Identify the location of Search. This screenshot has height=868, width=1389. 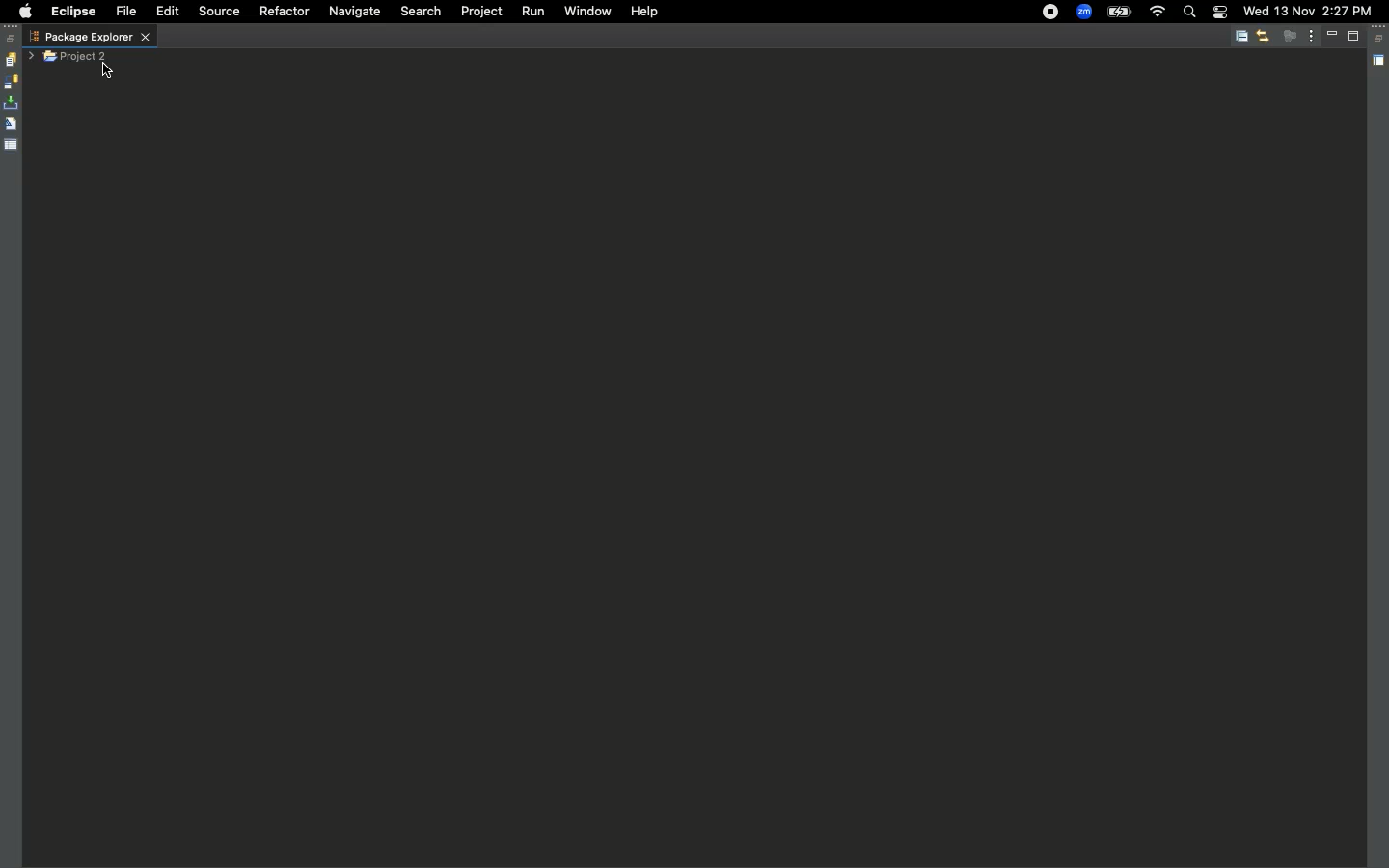
(1188, 14).